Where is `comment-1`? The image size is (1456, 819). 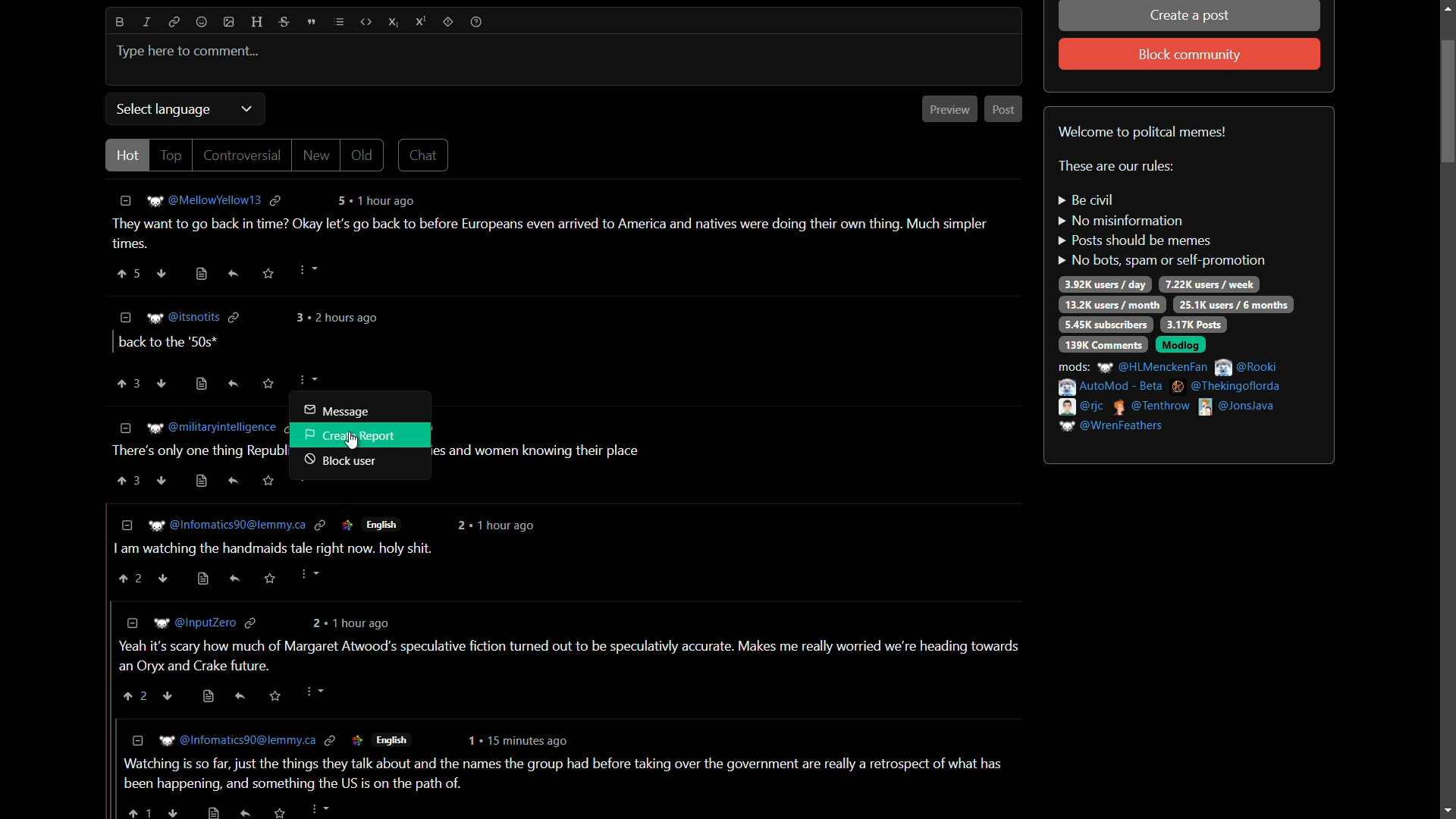 comment-1 is located at coordinates (557, 236).